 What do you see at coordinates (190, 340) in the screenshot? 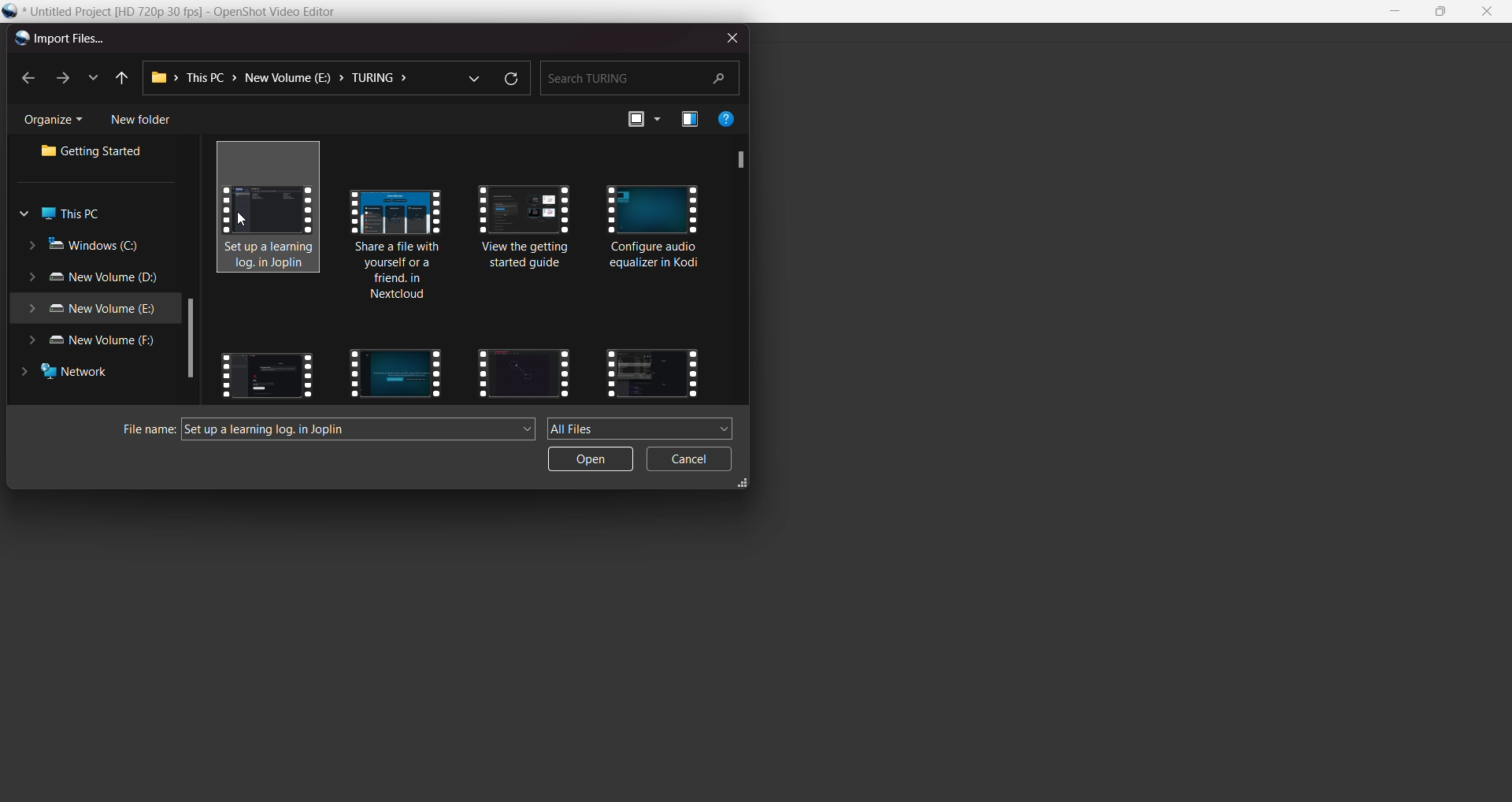
I see `scroll bar` at bounding box center [190, 340].